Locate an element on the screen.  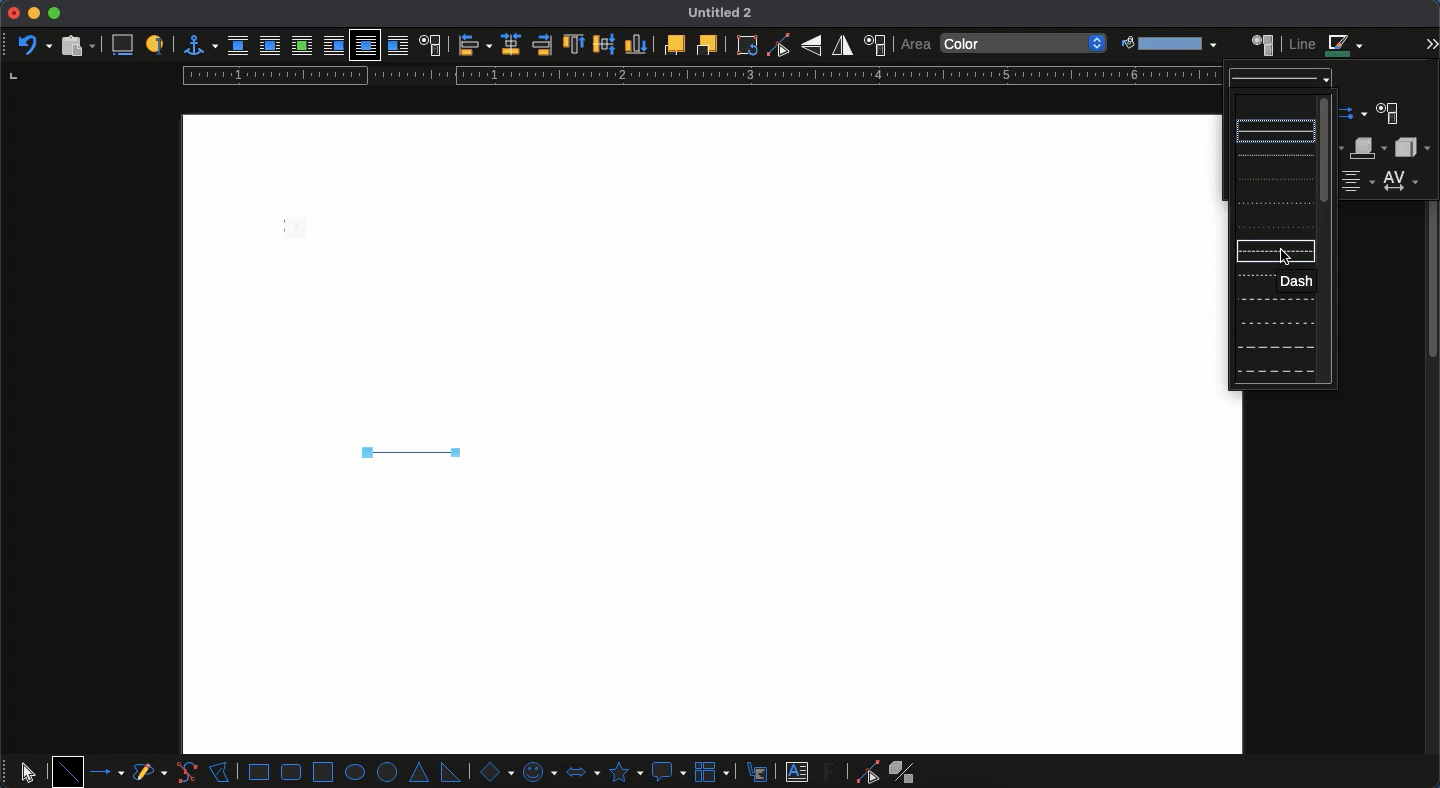
position and size is located at coordinates (874, 45).